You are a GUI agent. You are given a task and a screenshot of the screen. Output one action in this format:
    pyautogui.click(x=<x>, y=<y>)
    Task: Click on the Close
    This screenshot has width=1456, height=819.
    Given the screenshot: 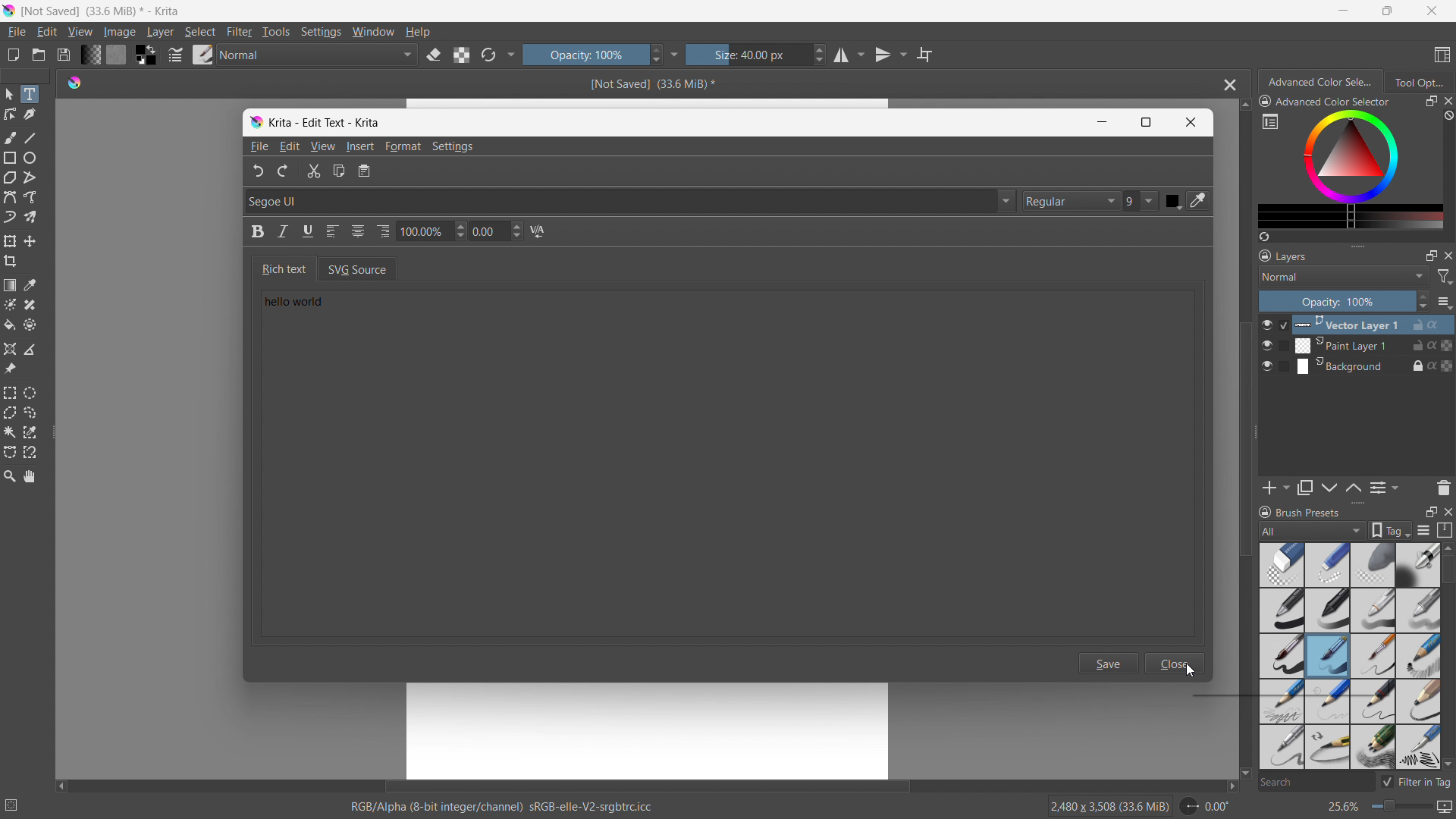 What is the action you would take?
    pyautogui.click(x=1191, y=123)
    